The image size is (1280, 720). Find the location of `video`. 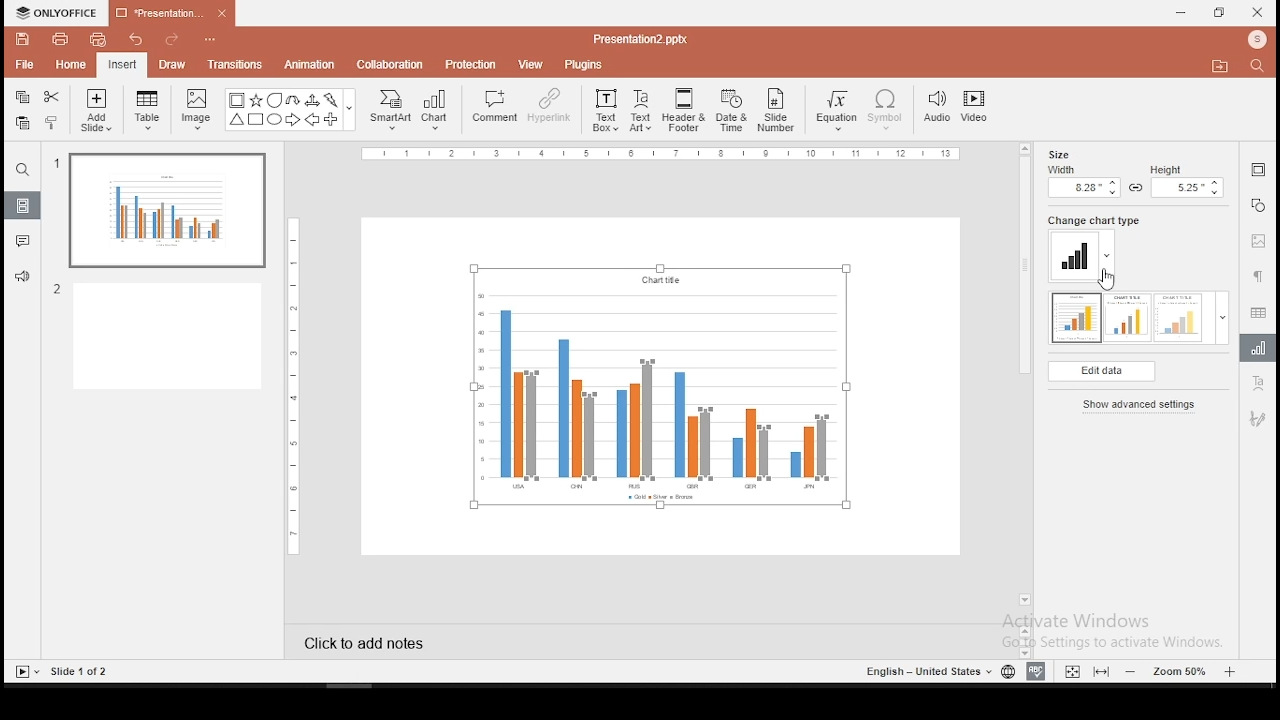

video is located at coordinates (977, 108).